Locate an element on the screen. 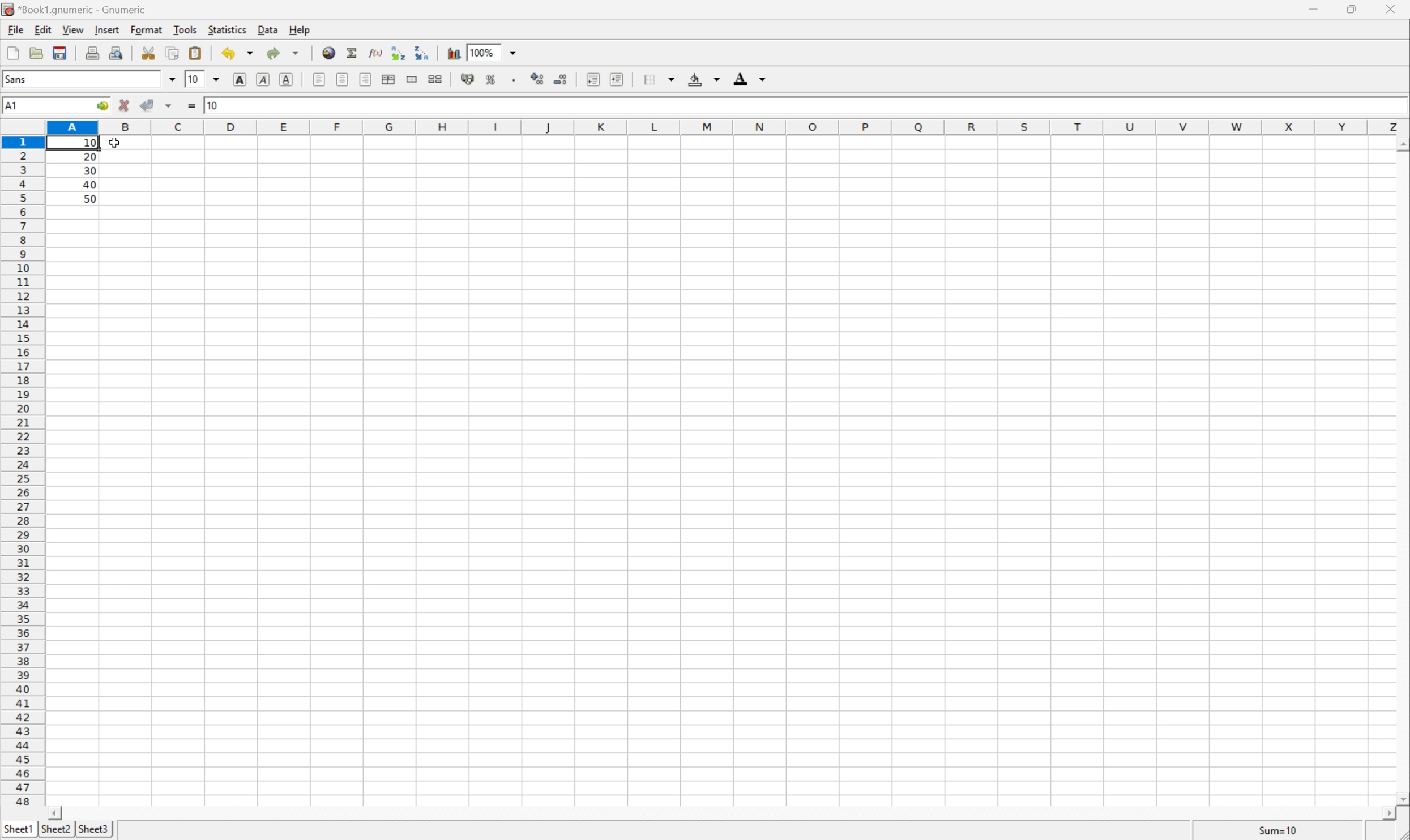 This screenshot has height=840, width=1410. Borders is located at coordinates (659, 79).